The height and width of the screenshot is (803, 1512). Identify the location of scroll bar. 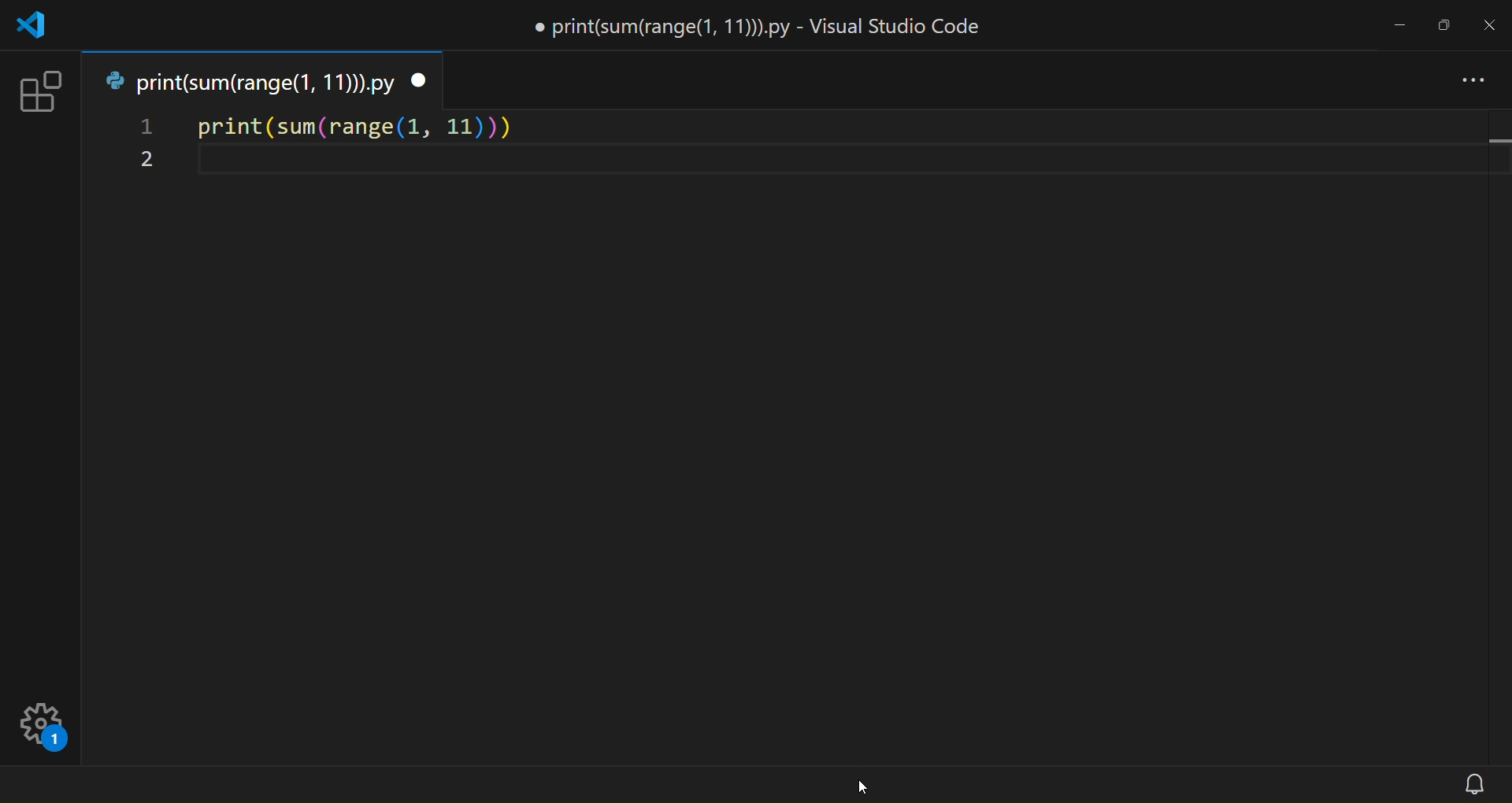
(1496, 436).